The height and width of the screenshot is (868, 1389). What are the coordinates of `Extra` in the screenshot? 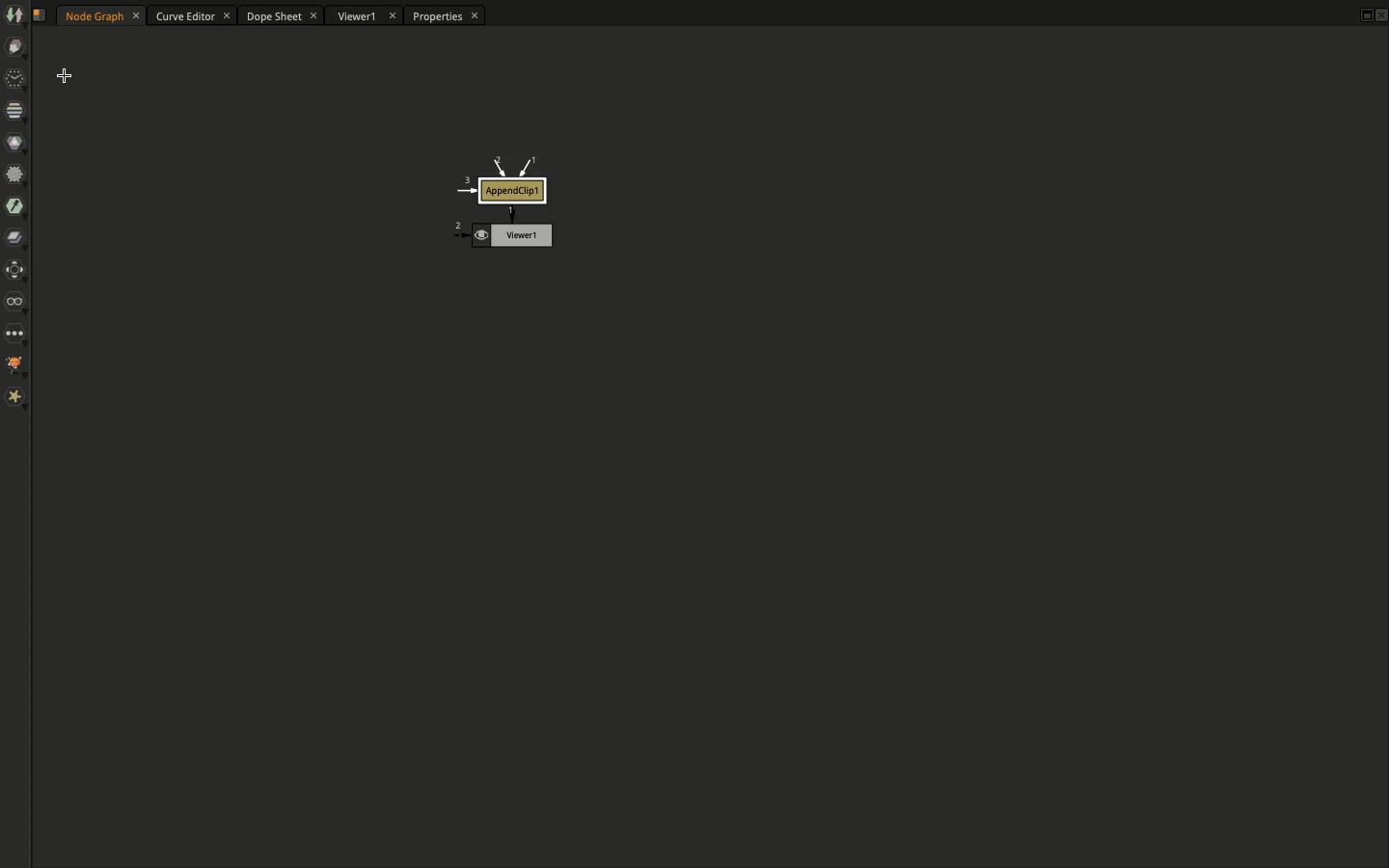 It's located at (15, 397).